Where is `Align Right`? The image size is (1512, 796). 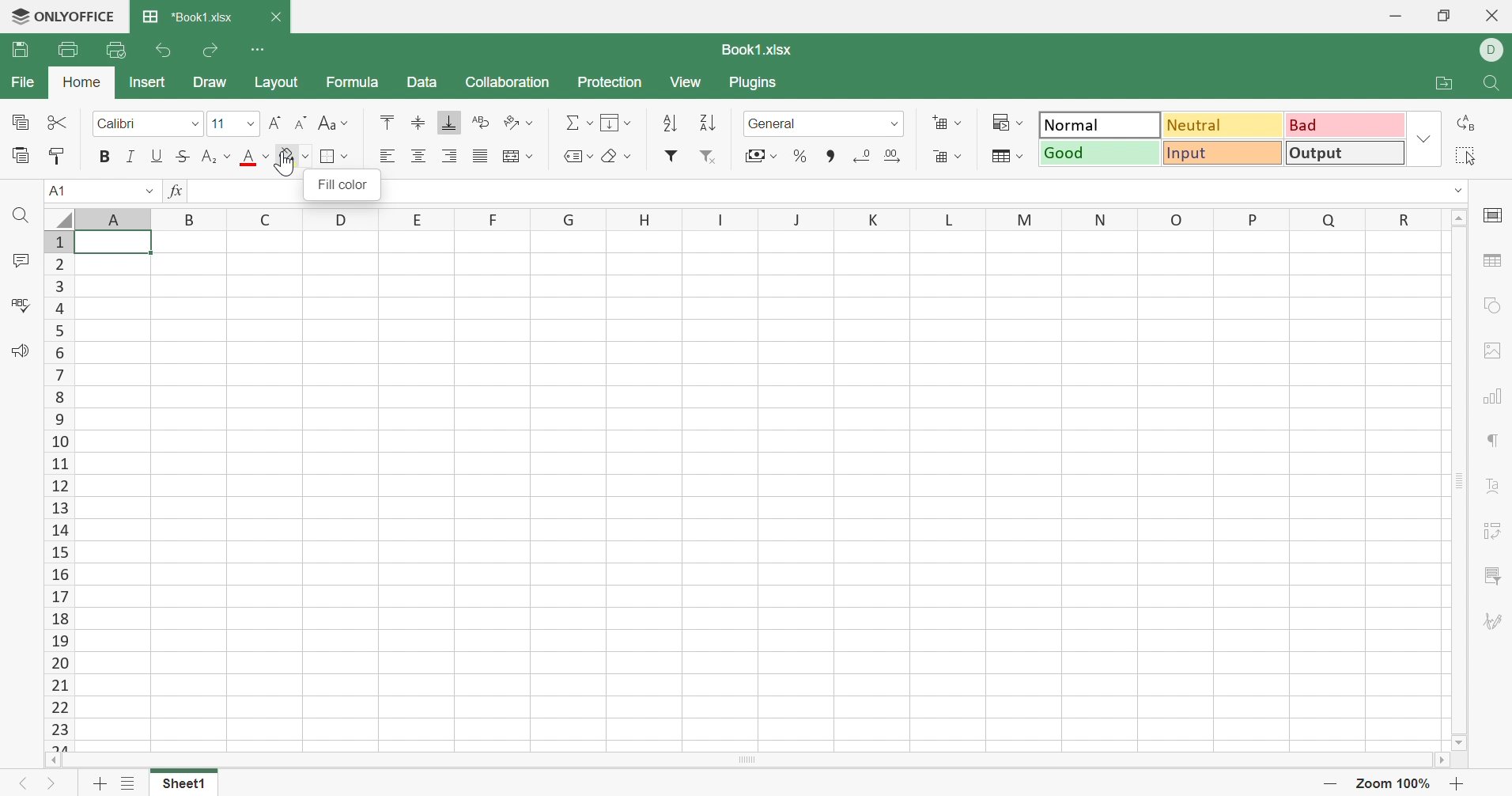 Align Right is located at coordinates (451, 154).